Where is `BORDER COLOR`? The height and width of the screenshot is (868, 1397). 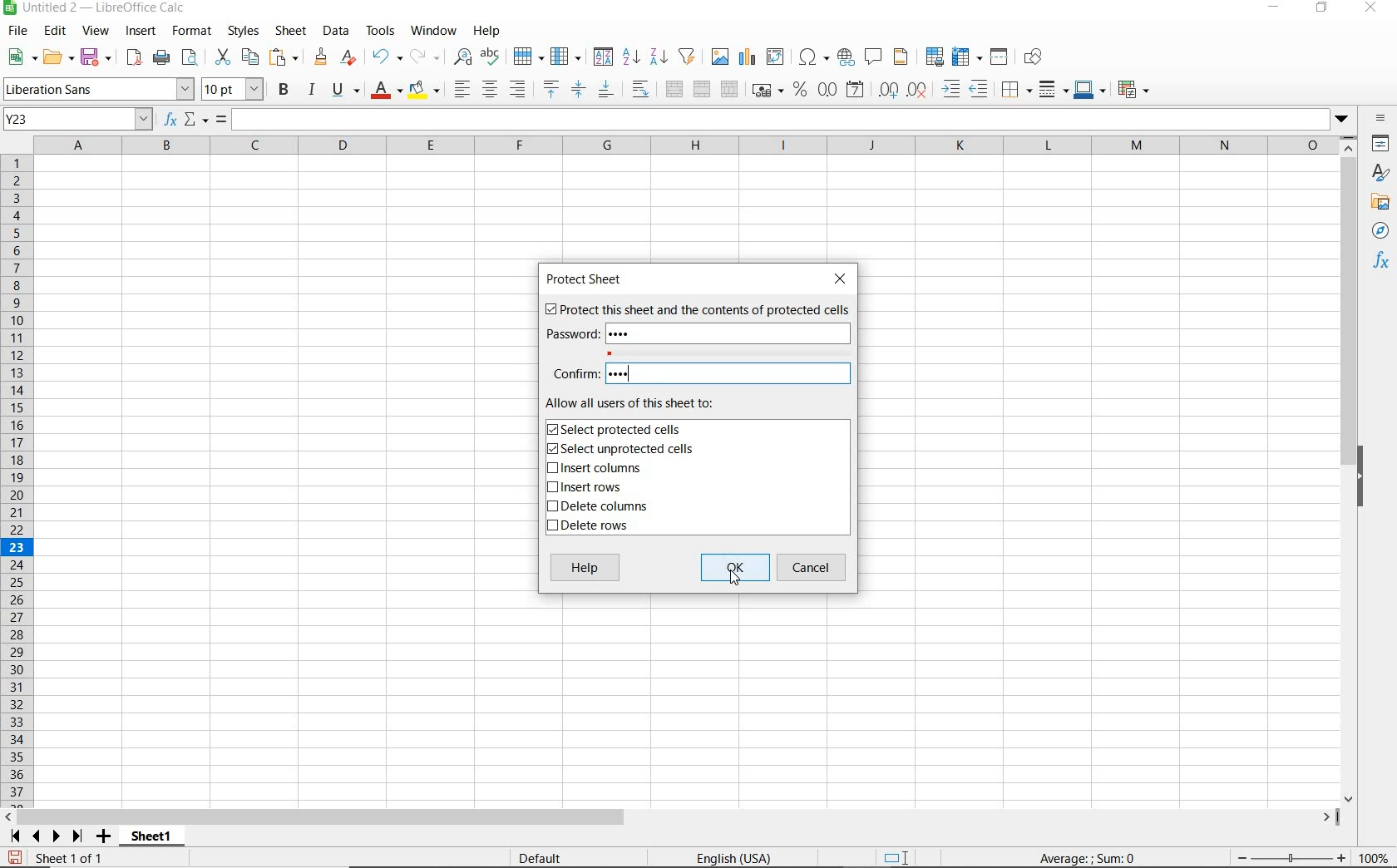
BORDER COLOR is located at coordinates (1088, 89).